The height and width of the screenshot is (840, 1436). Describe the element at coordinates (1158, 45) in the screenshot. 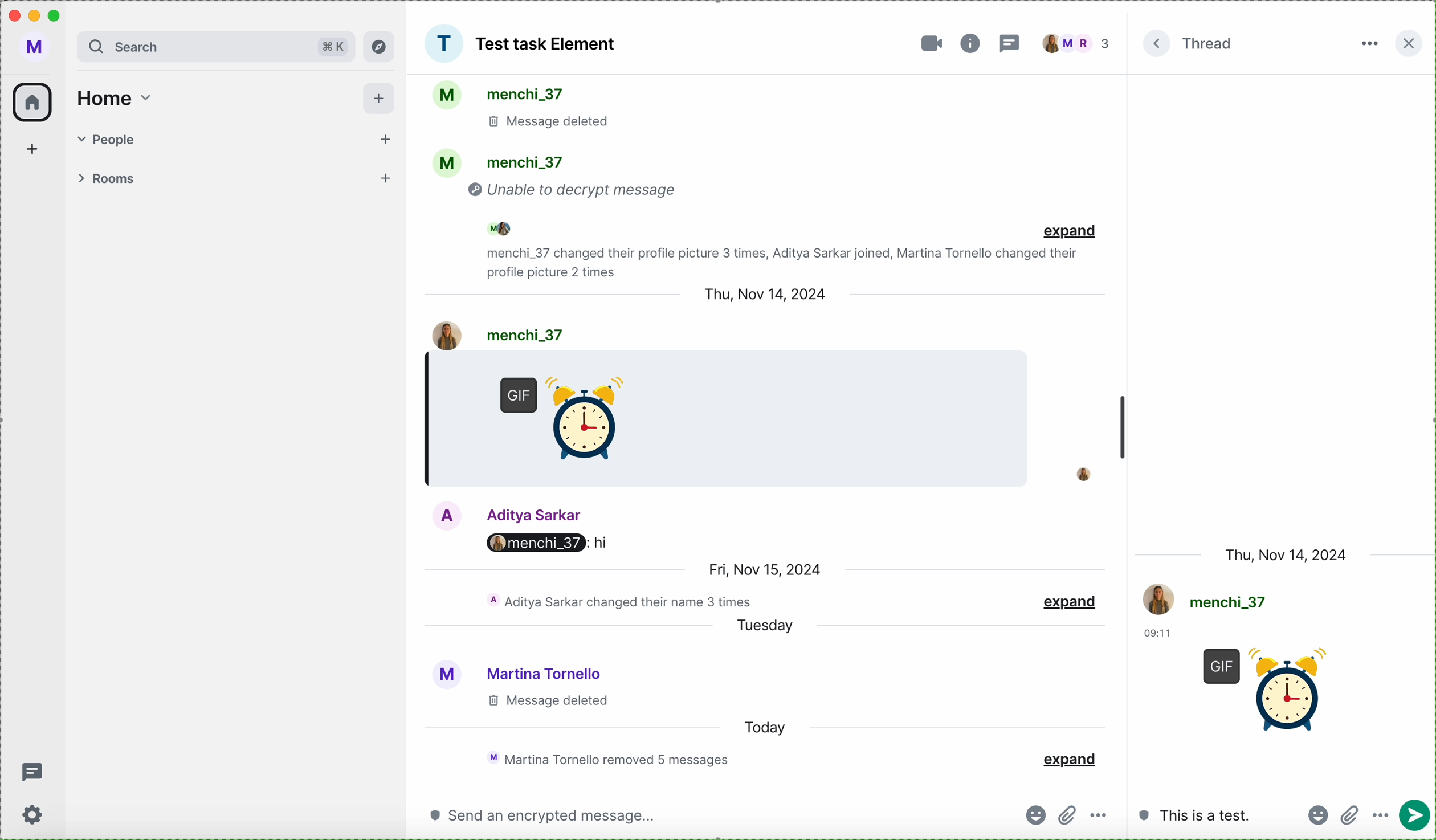

I see `expand` at that location.